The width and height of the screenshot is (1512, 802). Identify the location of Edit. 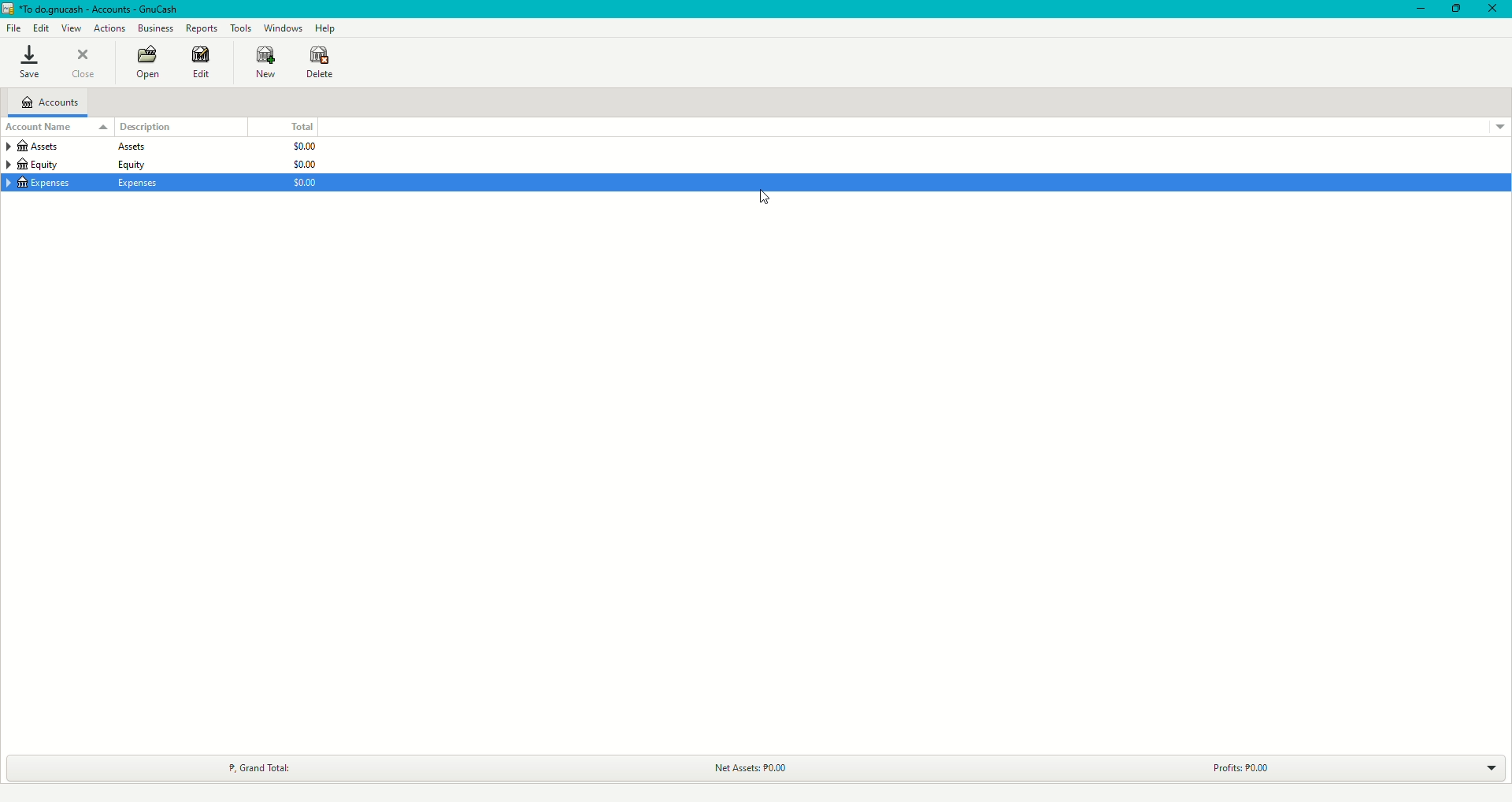
(39, 28).